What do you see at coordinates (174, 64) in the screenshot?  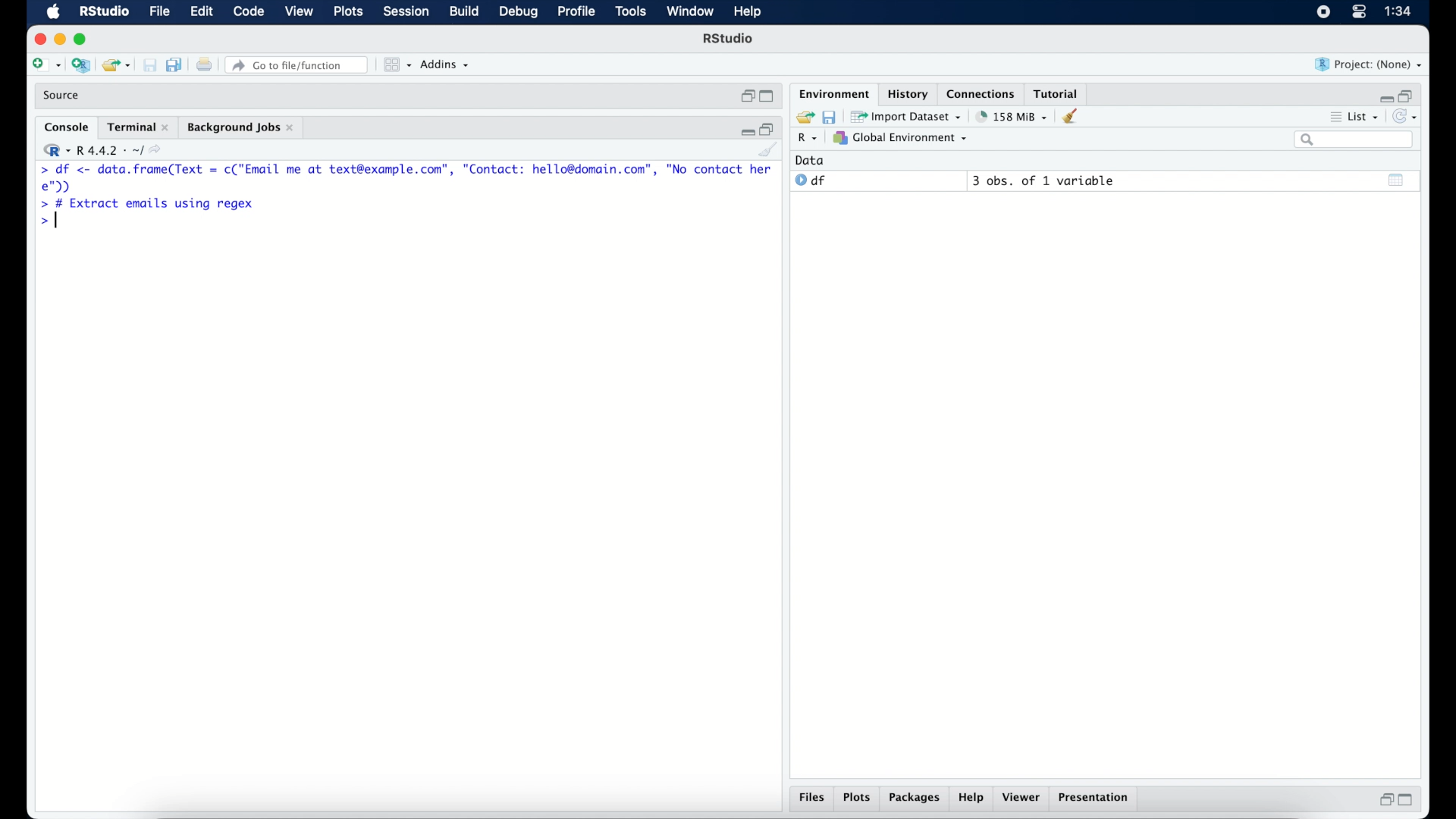 I see `save all documents` at bounding box center [174, 64].